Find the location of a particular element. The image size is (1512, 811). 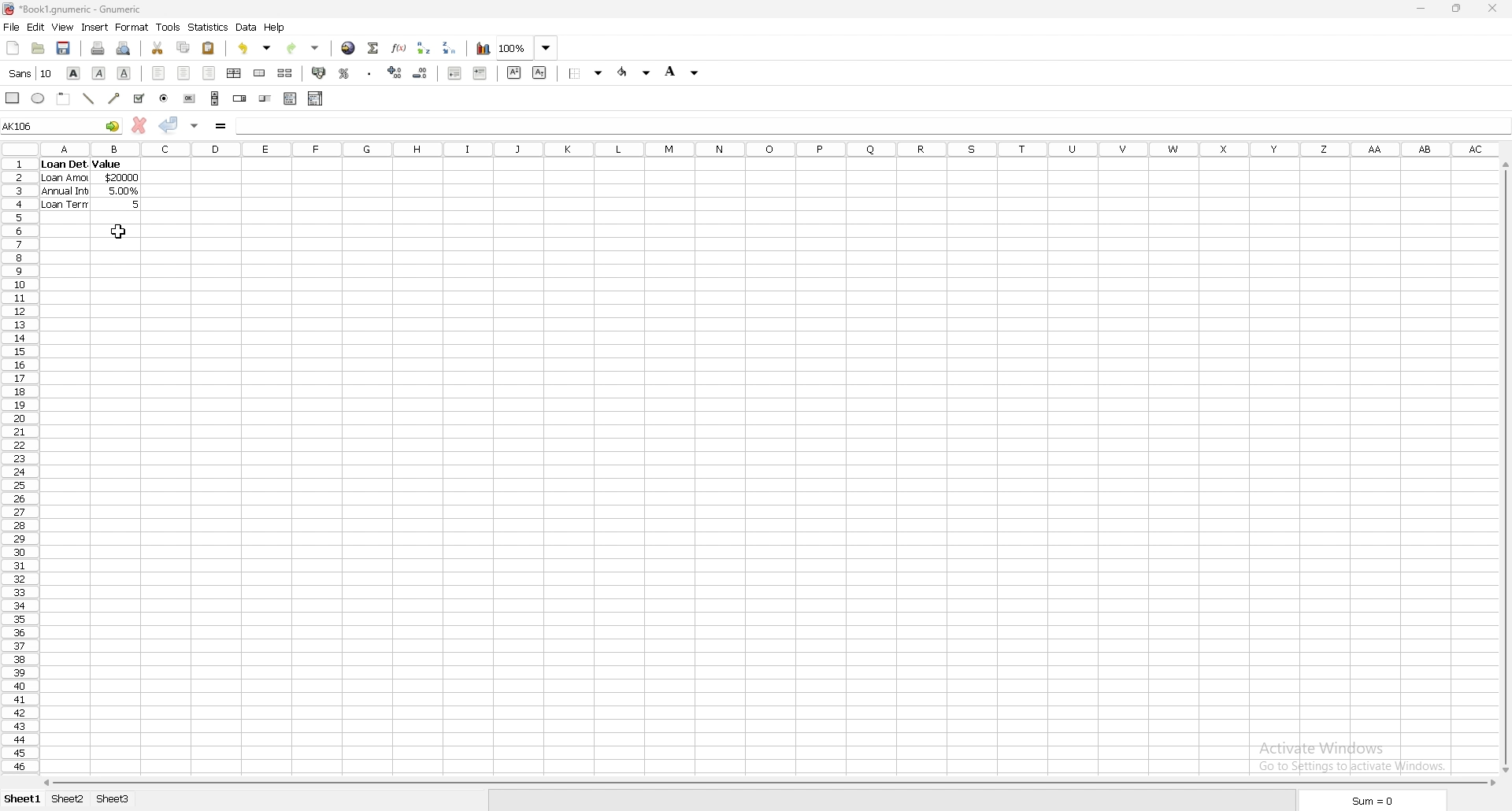

insert is located at coordinates (95, 28).